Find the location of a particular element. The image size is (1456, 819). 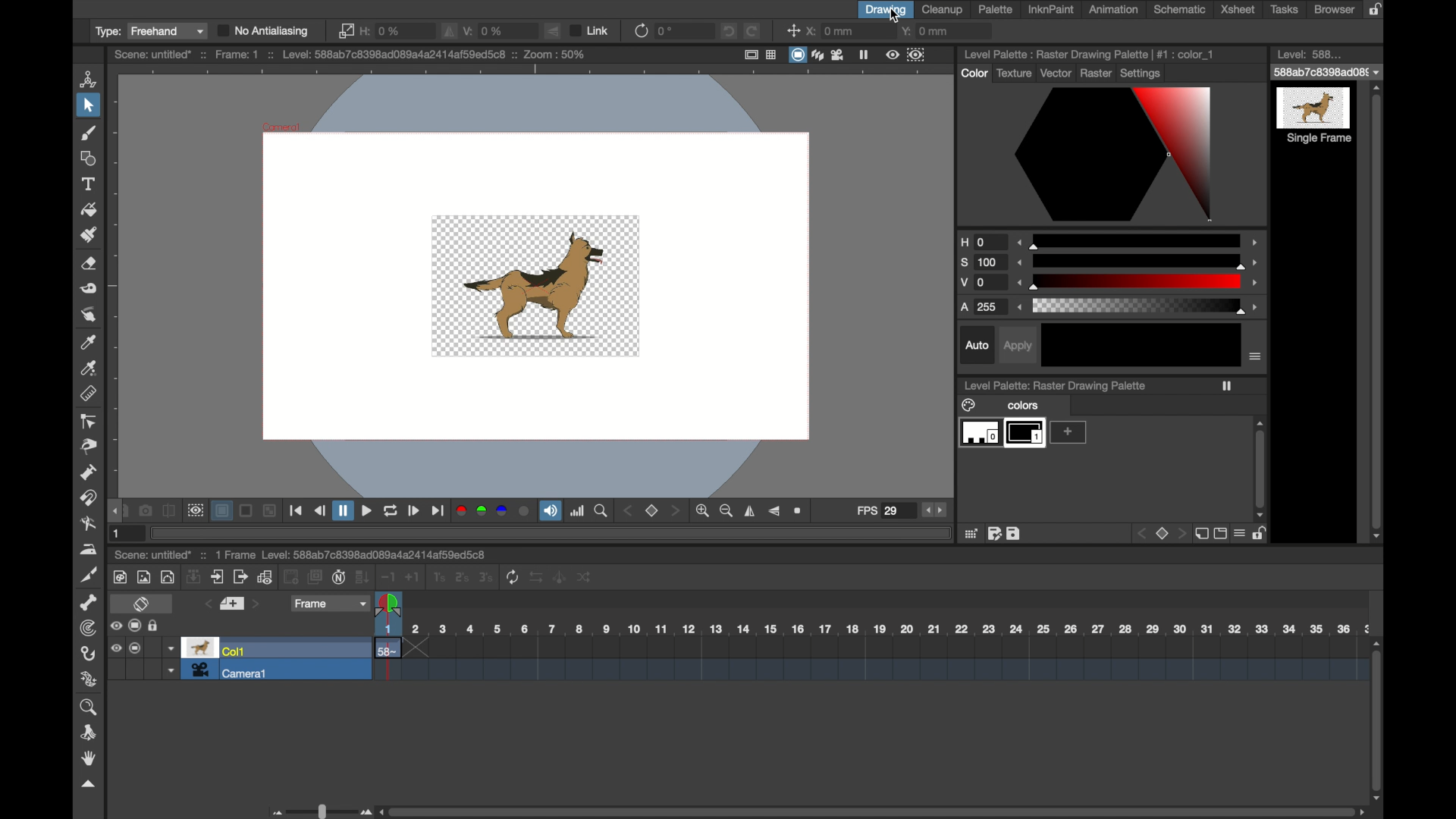

toggle xsheet is located at coordinates (141, 604).